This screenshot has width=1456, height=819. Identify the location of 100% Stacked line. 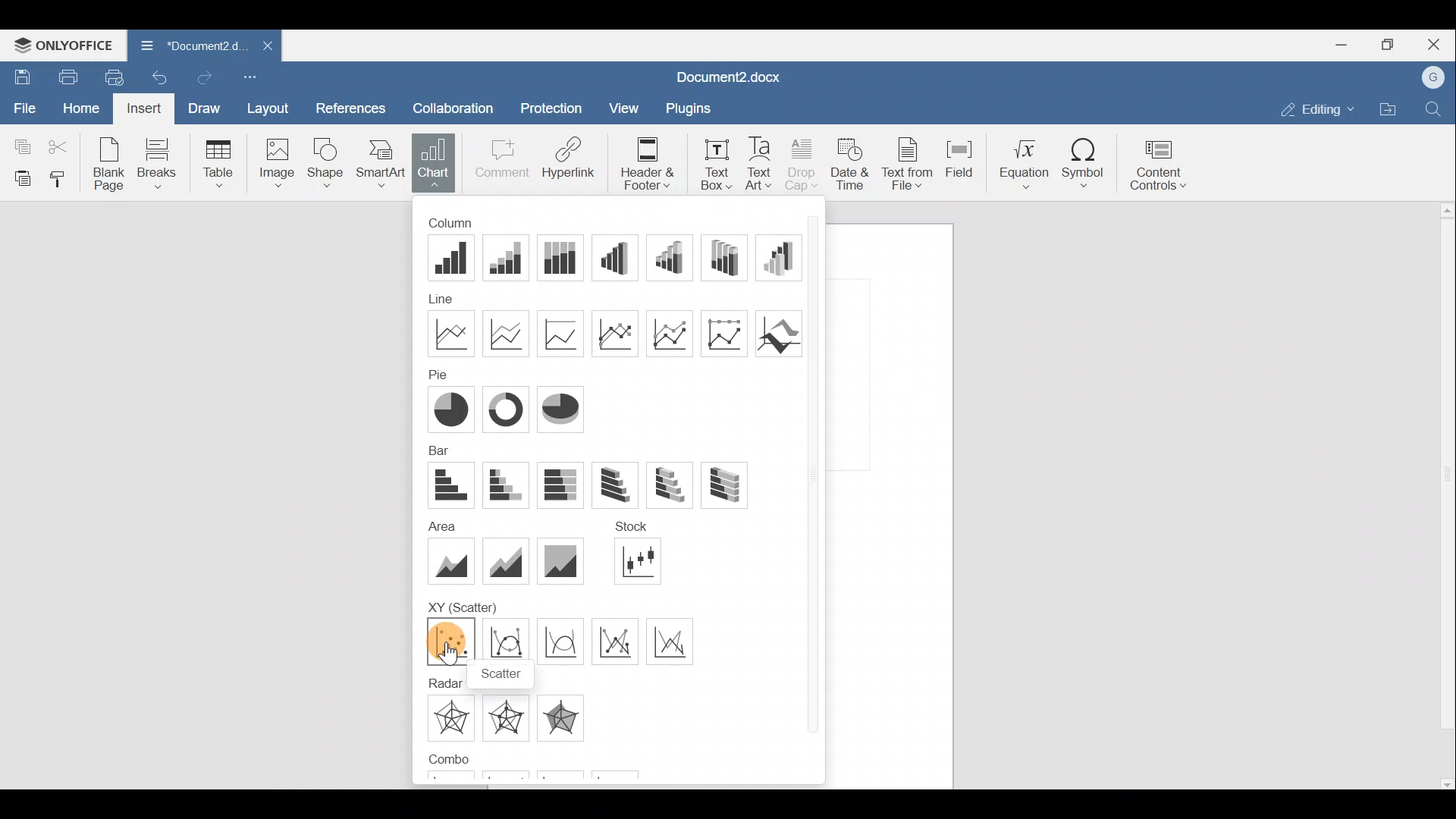
(560, 333).